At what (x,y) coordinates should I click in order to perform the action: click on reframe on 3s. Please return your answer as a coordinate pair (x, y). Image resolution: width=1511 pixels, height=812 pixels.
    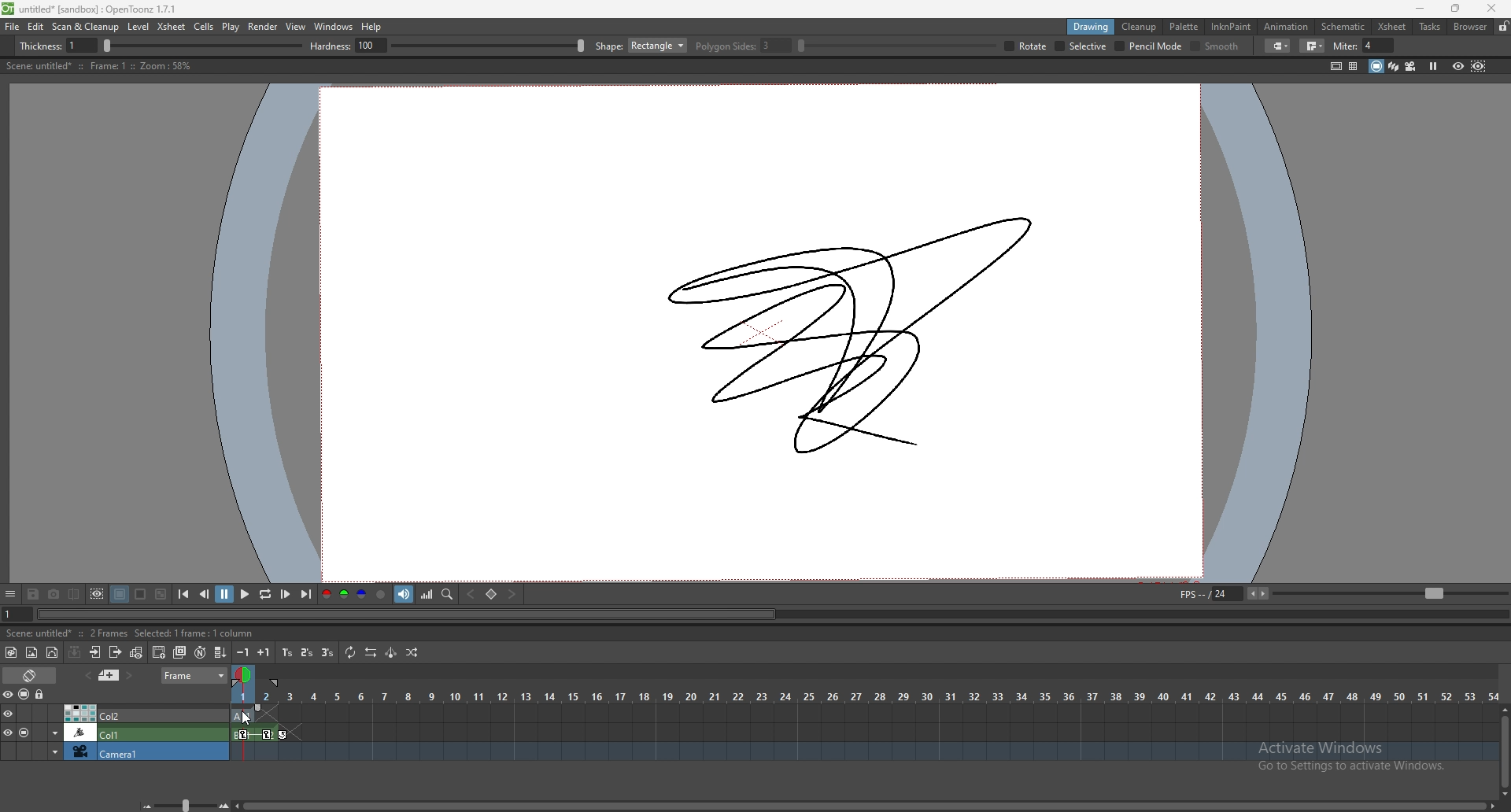
    Looking at the image, I should click on (327, 652).